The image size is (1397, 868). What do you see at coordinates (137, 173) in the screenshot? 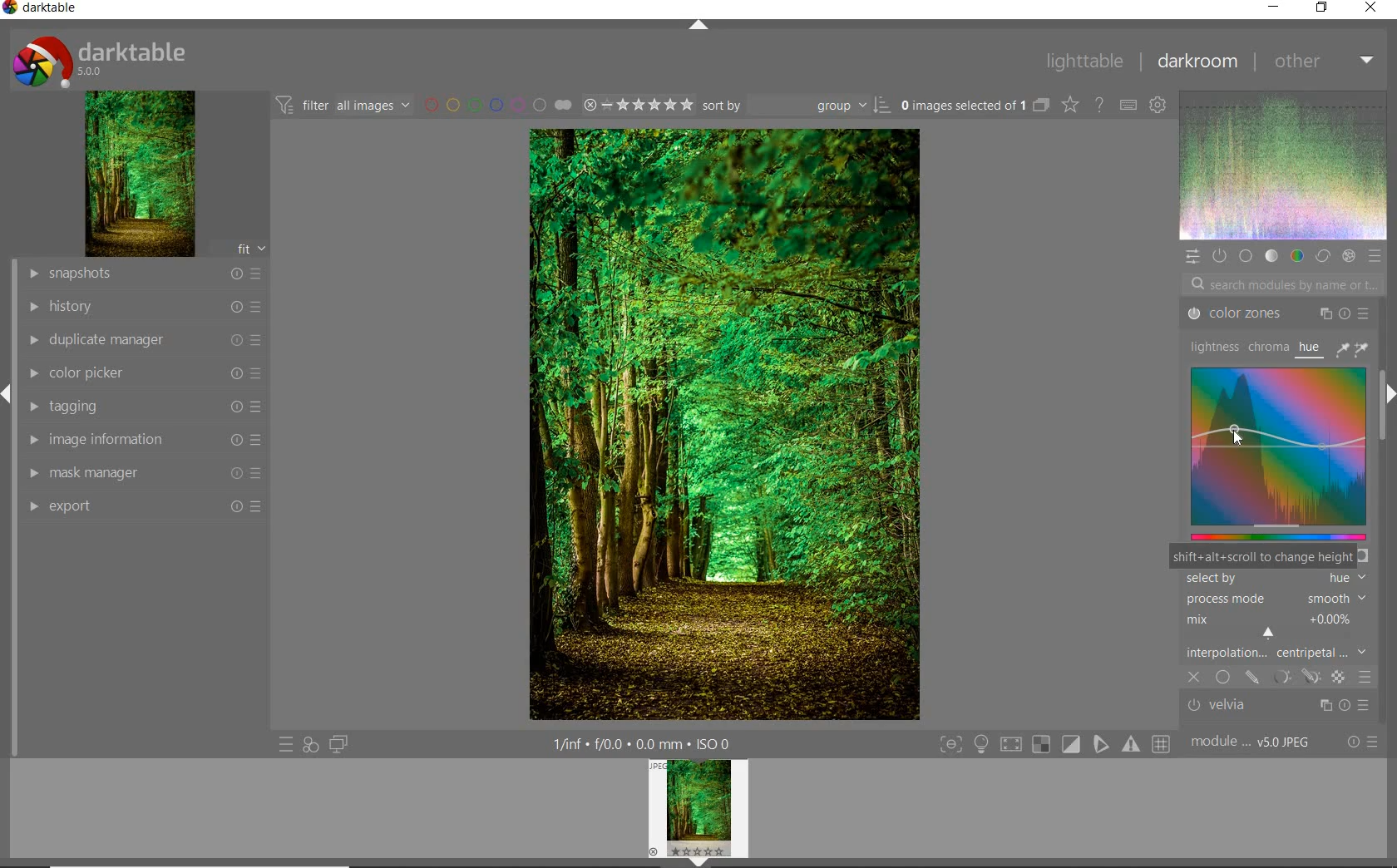
I see `IMAGE` at bounding box center [137, 173].